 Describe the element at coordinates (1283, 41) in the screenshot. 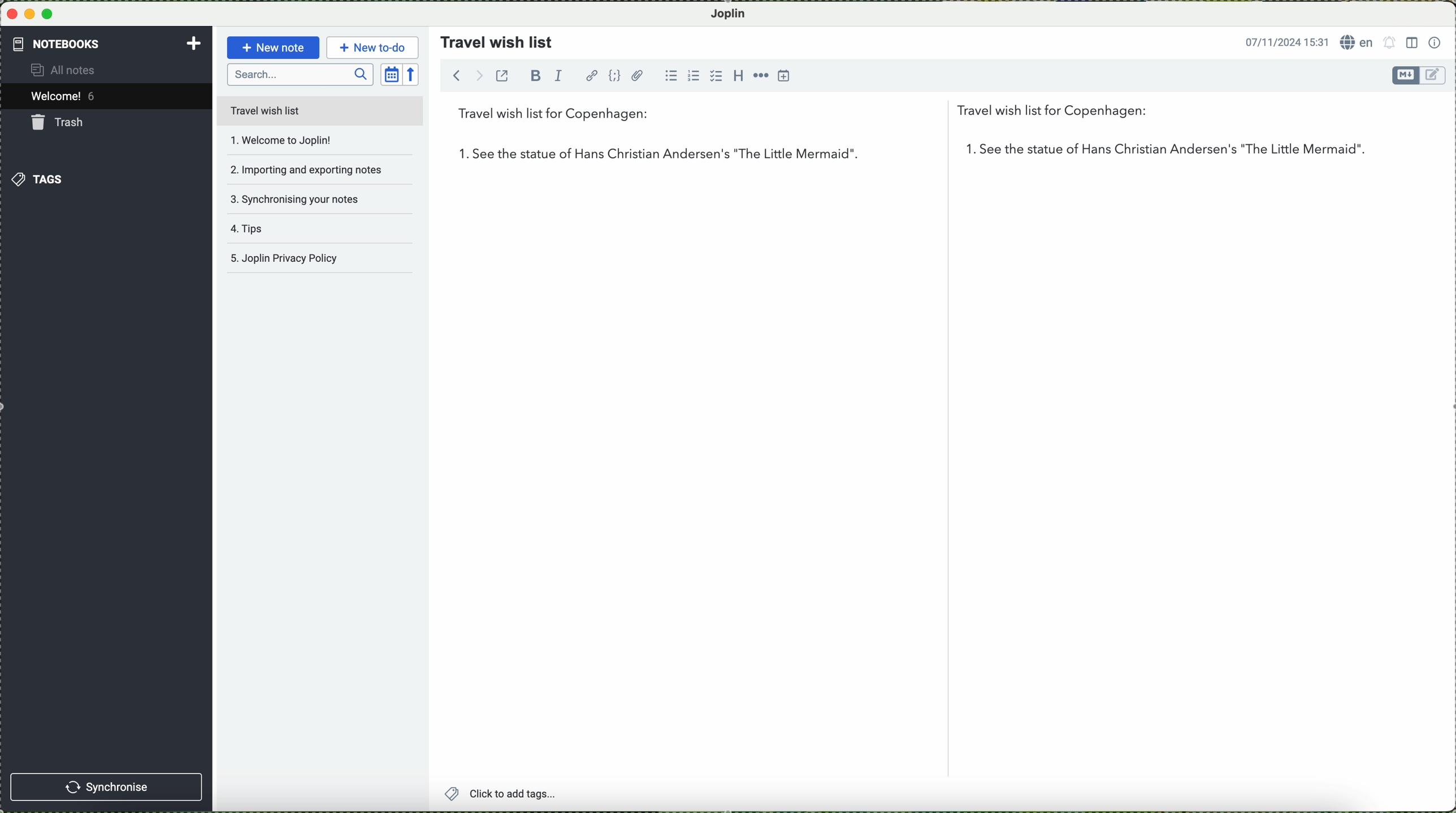

I see `date and hour` at that location.